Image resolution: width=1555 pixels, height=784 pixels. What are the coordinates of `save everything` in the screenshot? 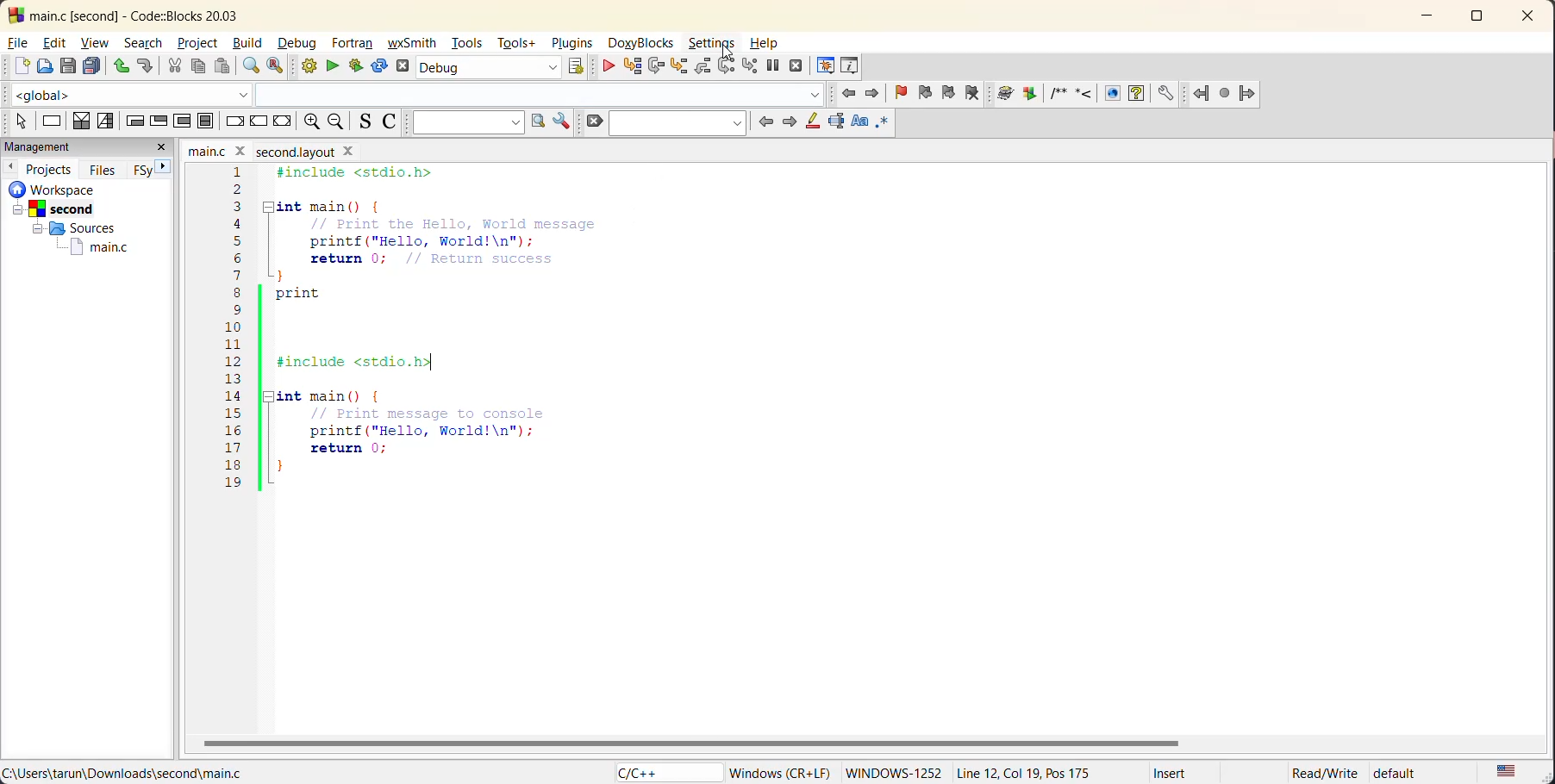 It's located at (91, 65).